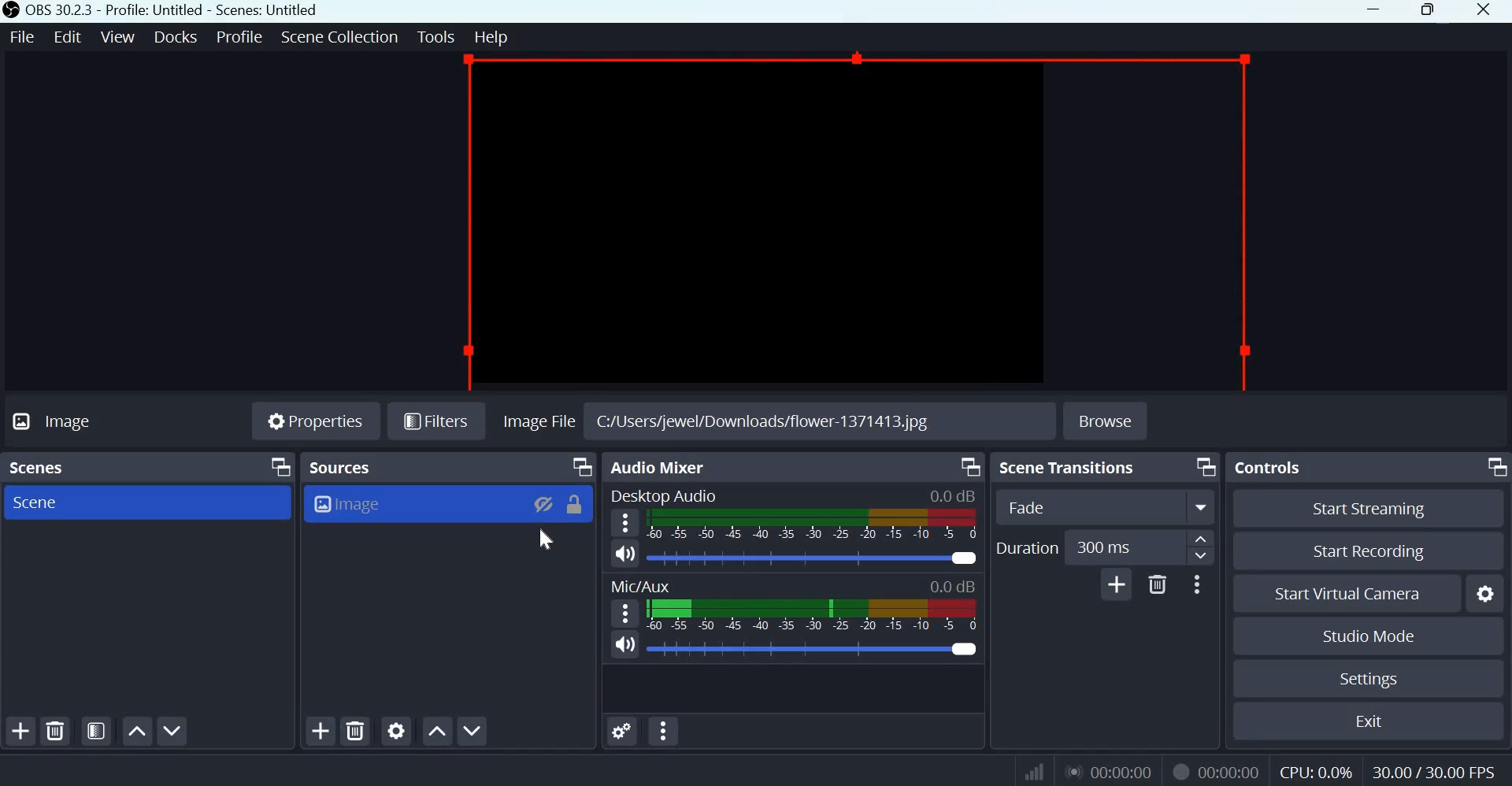  What do you see at coordinates (624, 613) in the screenshot?
I see `hamburger menu` at bounding box center [624, 613].